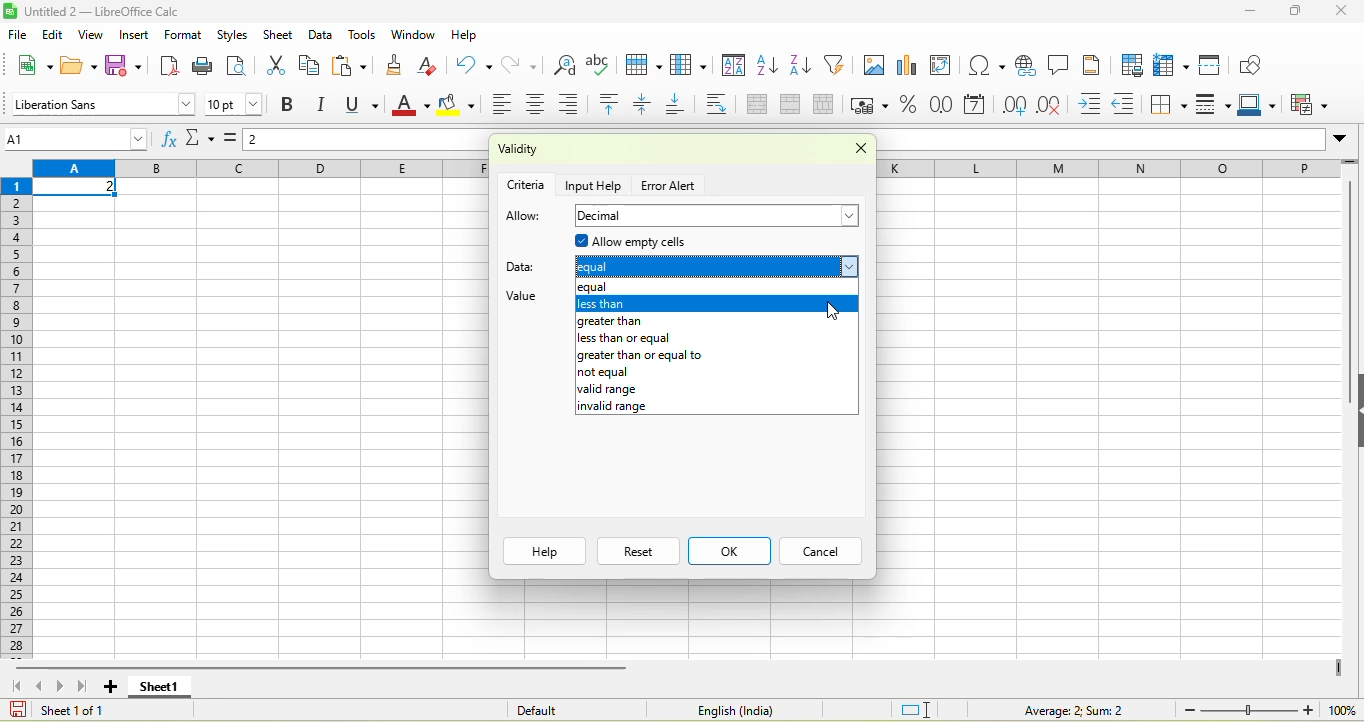  I want to click on less than, so click(718, 304).